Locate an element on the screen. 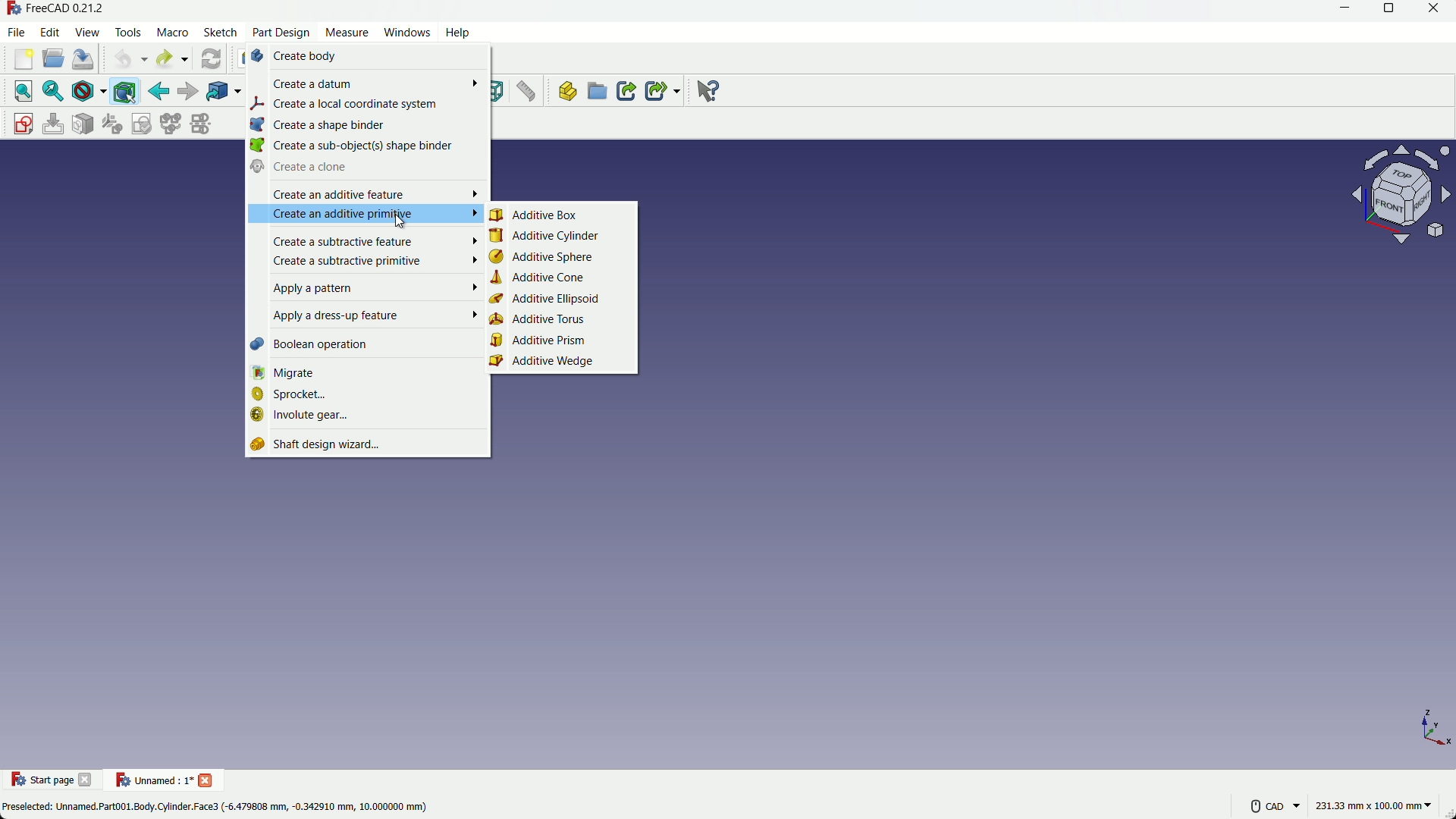  apply a dress up feature is located at coordinates (368, 318).